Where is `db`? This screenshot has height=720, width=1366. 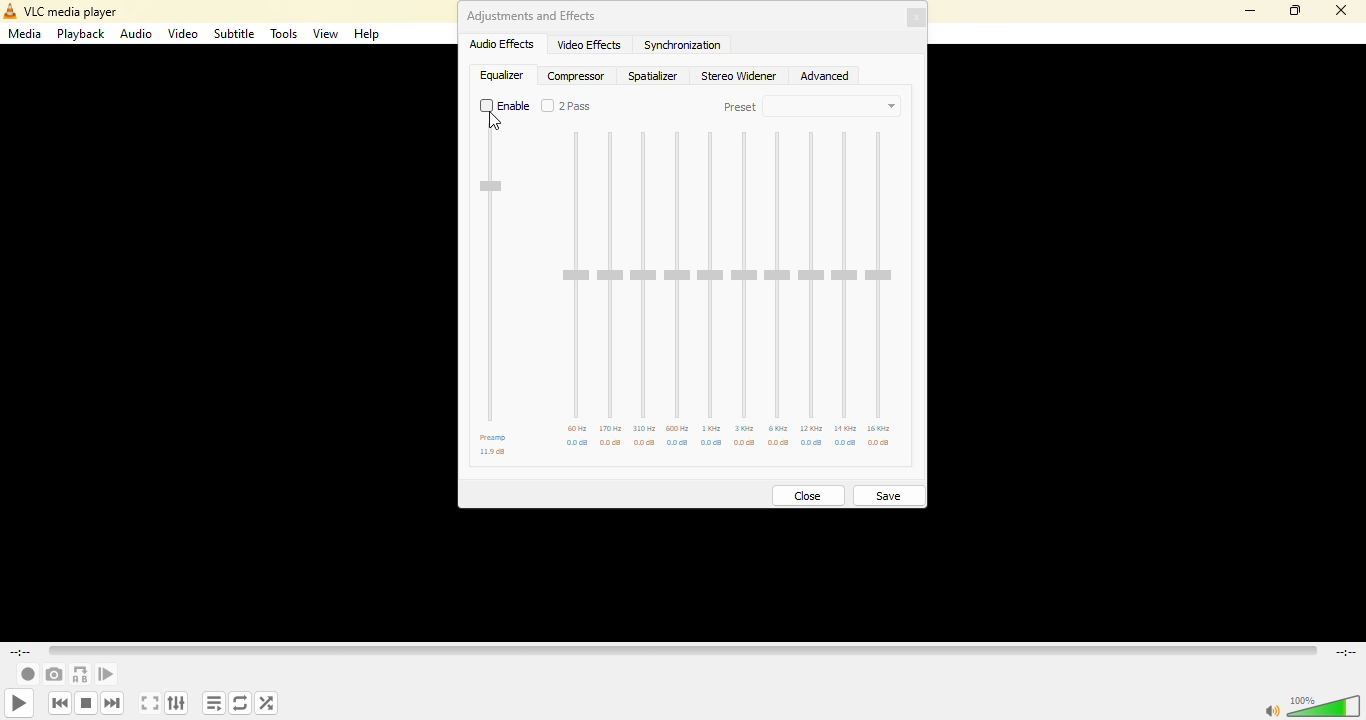
db is located at coordinates (712, 445).